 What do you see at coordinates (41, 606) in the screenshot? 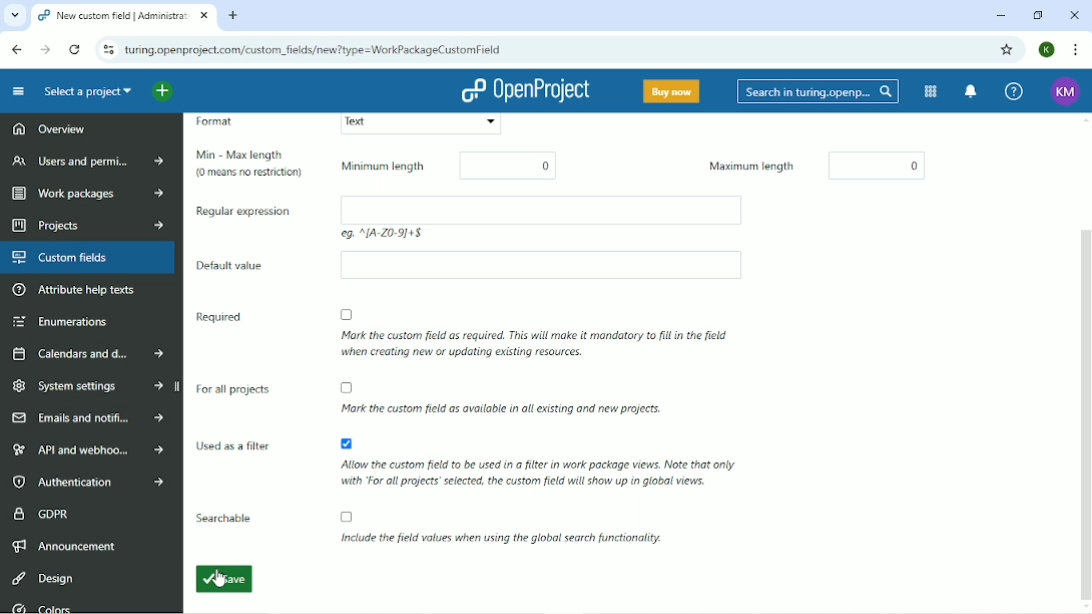
I see `Colors` at bounding box center [41, 606].